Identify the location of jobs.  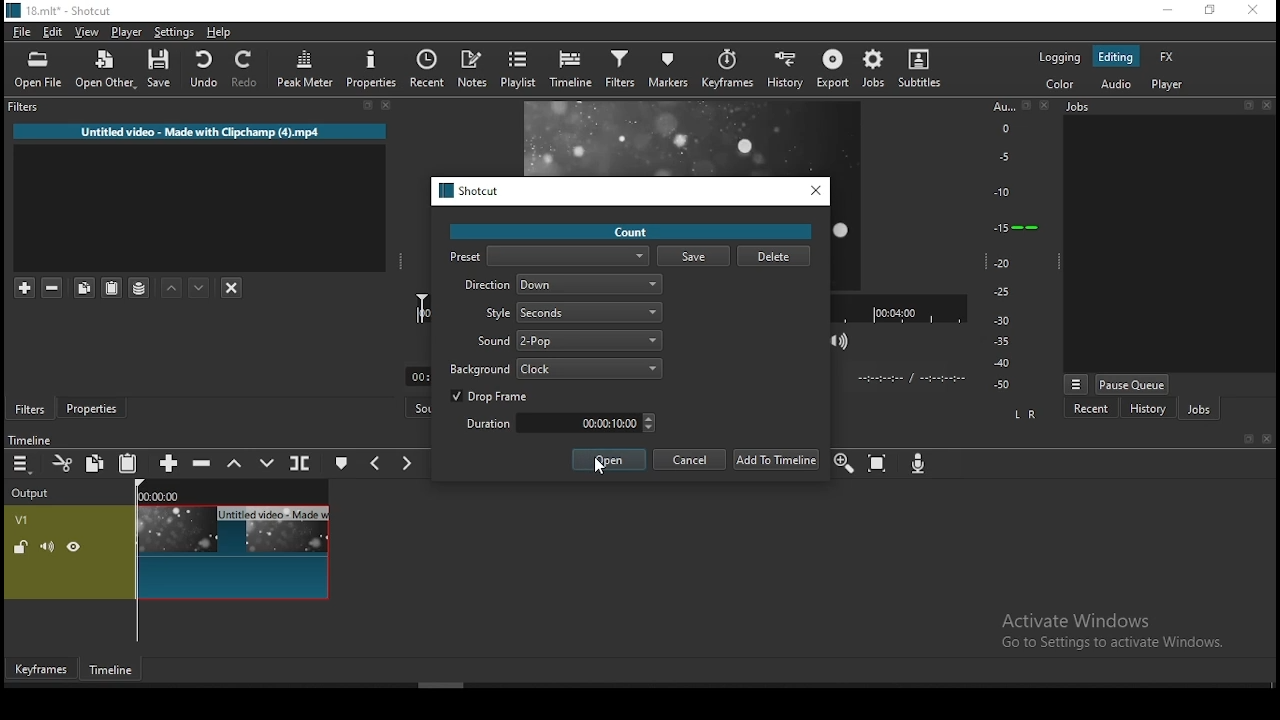
(875, 69).